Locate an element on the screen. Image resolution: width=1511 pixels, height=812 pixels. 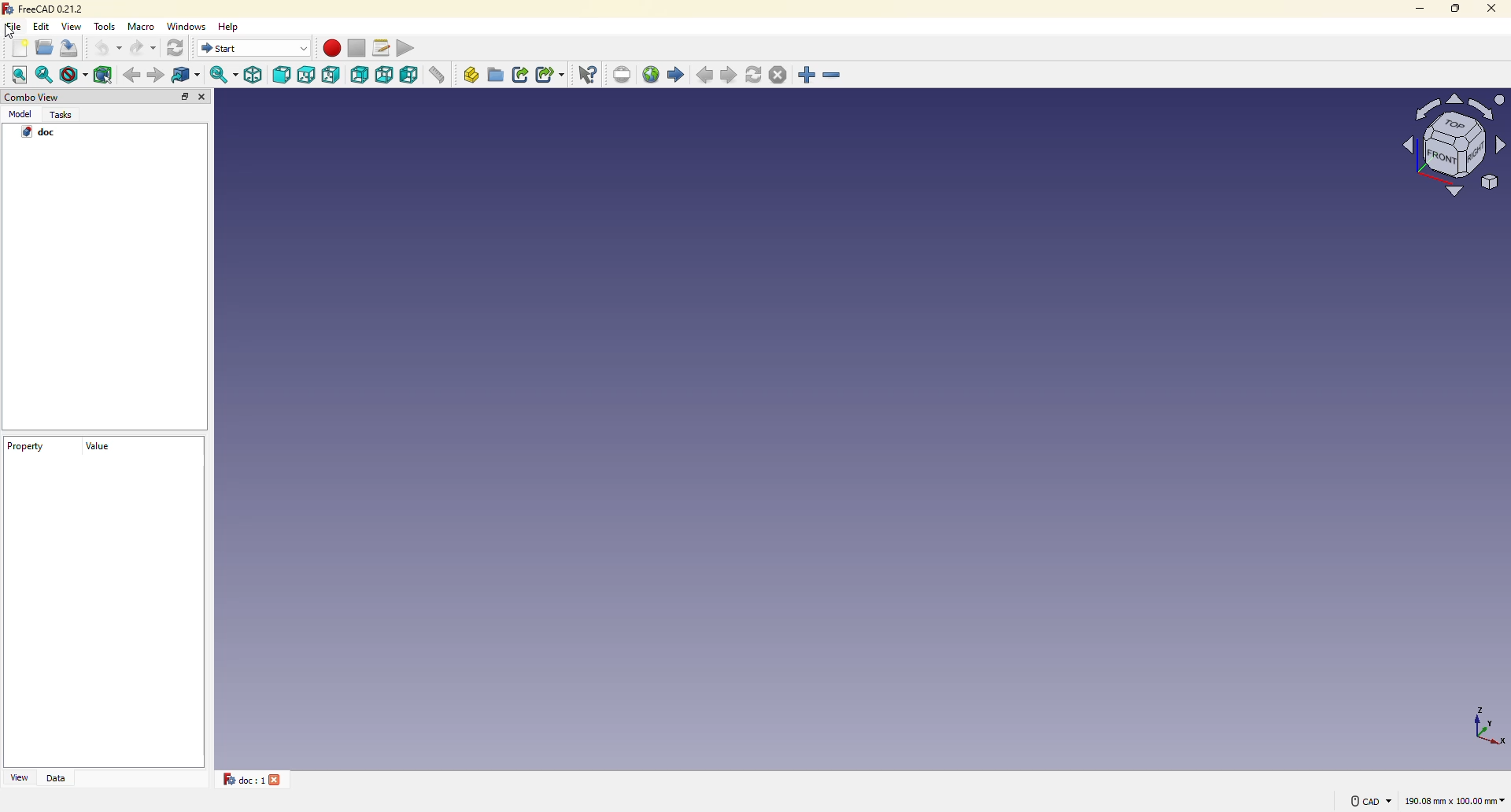
switch between workbenches is located at coordinates (254, 48).